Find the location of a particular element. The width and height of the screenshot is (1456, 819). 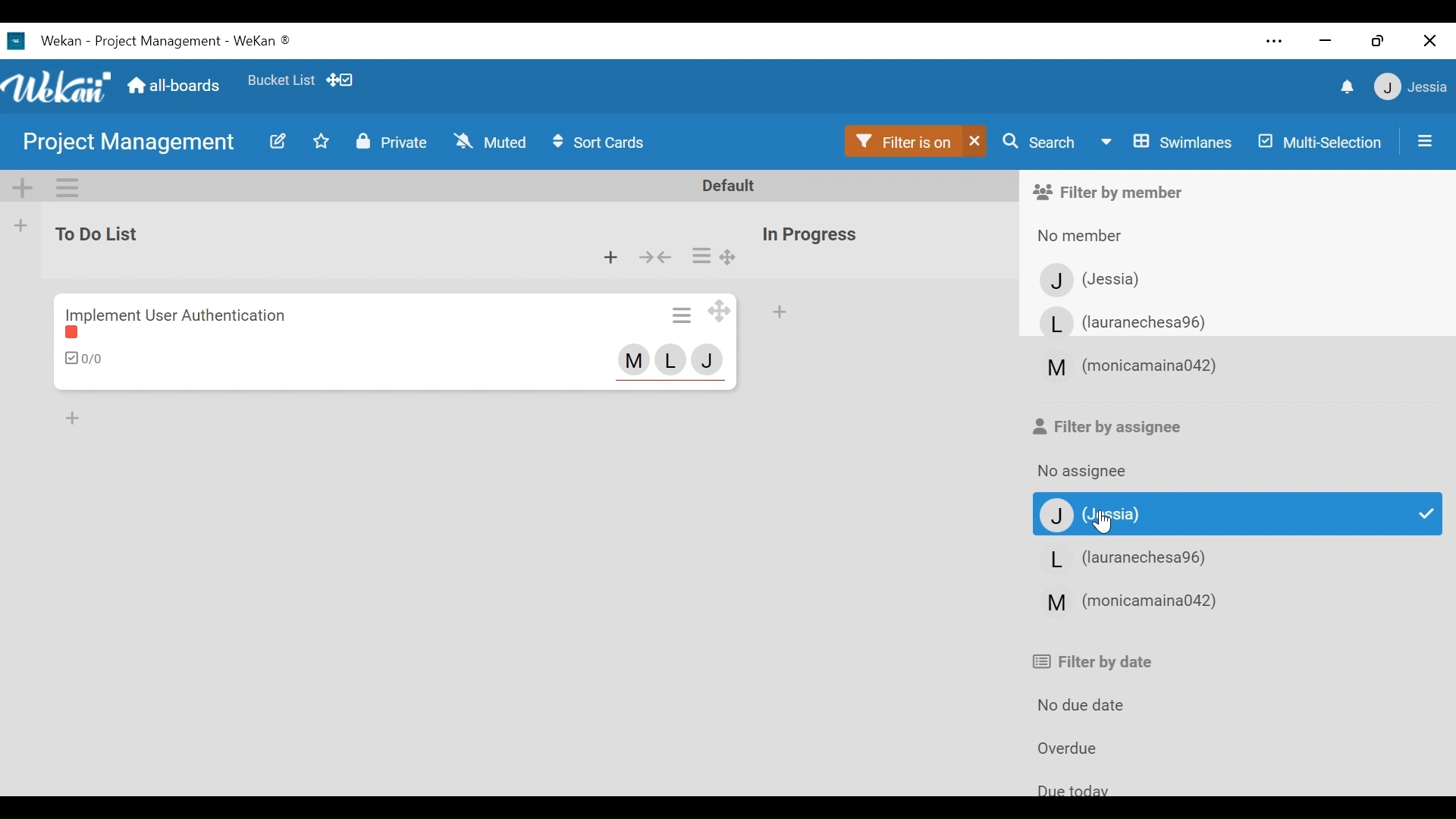

Wekan Logo is located at coordinates (58, 85).